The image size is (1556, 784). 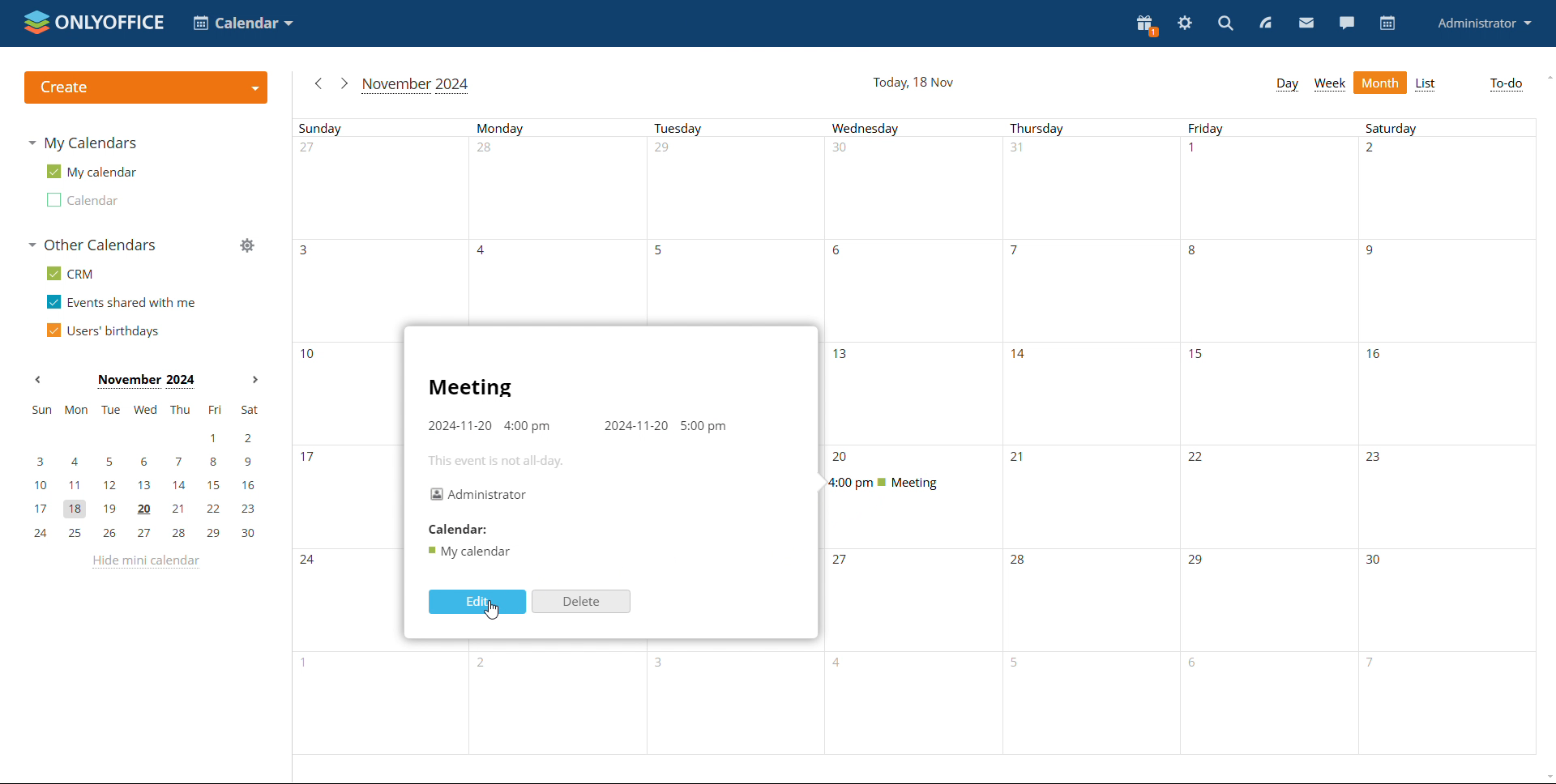 I want to click on month view, so click(x=1380, y=83).